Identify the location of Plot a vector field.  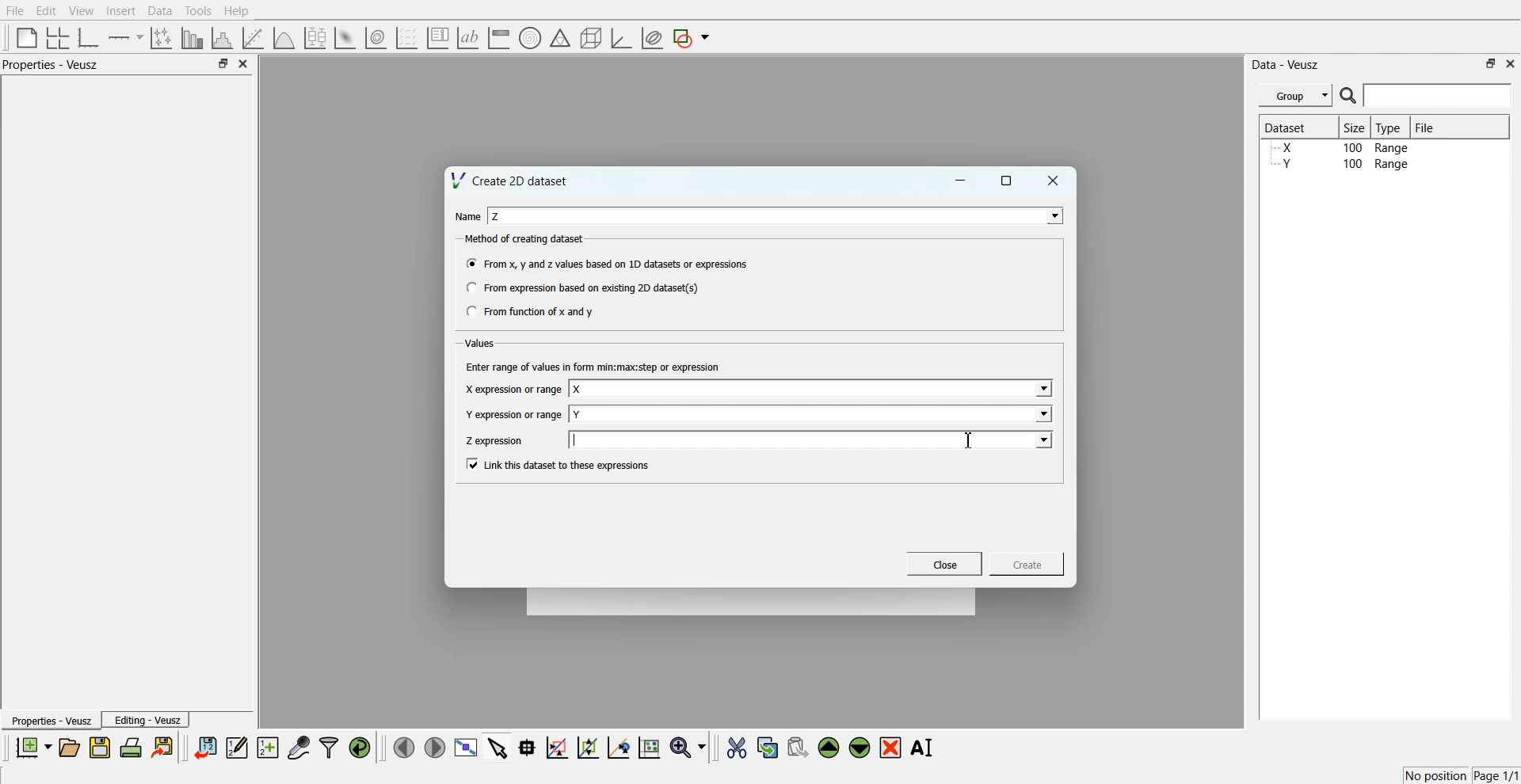
(406, 39).